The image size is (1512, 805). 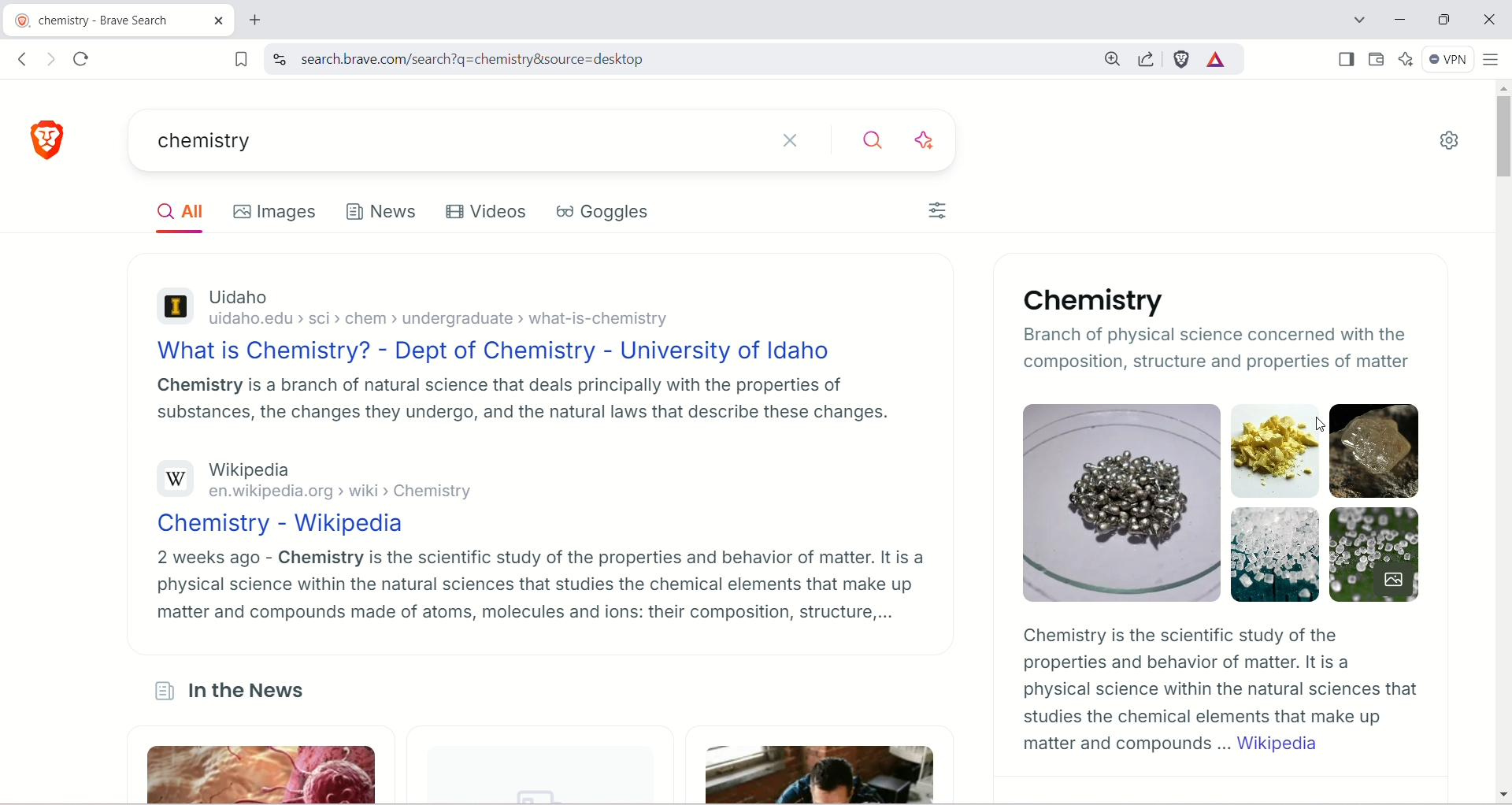 What do you see at coordinates (785, 137) in the screenshot?
I see `close` at bounding box center [785, 137].